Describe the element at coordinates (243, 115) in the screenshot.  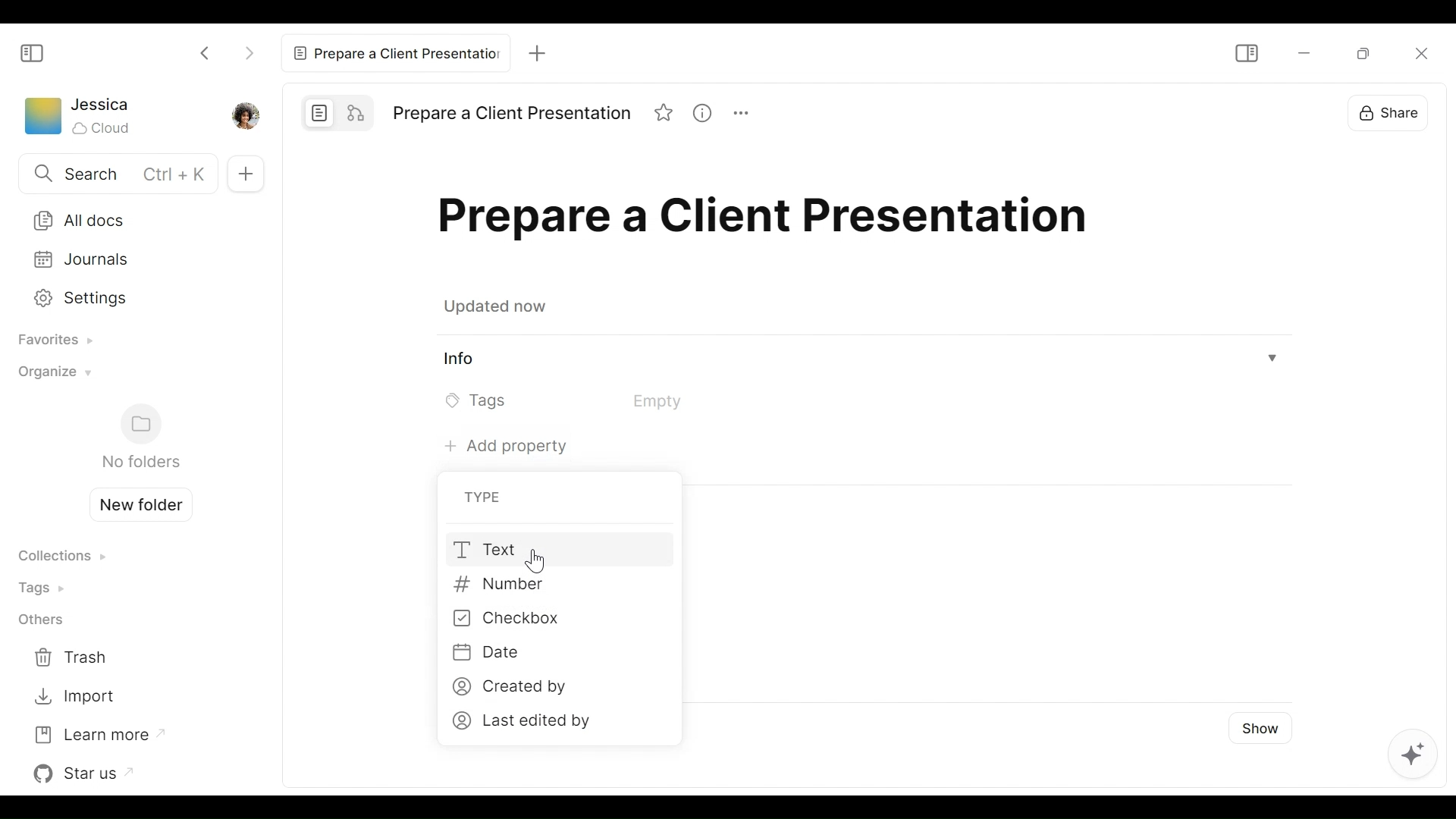
I see `Profile picture` at that location.